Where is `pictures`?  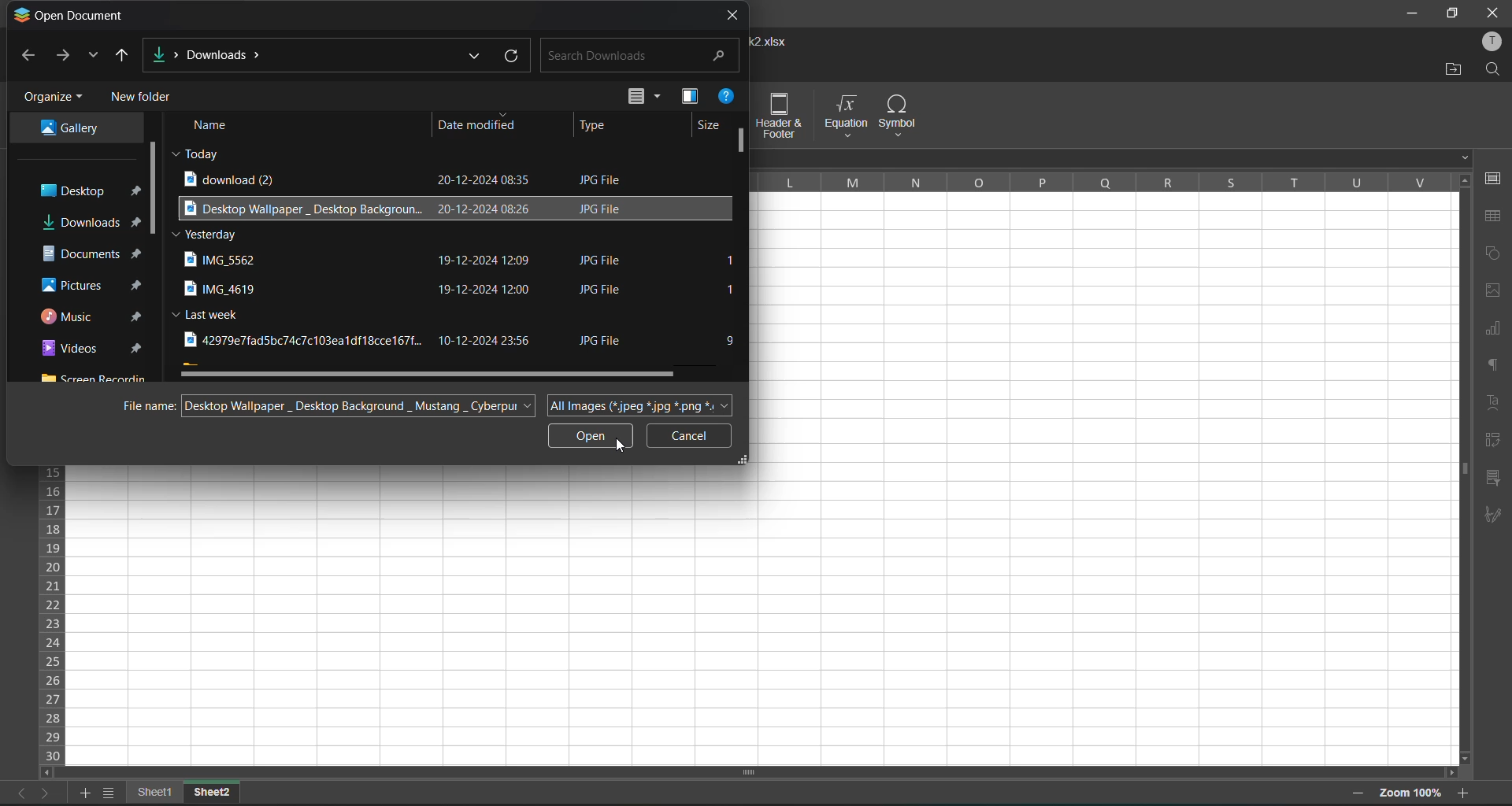 pictures is located at coordinates (89, 283).